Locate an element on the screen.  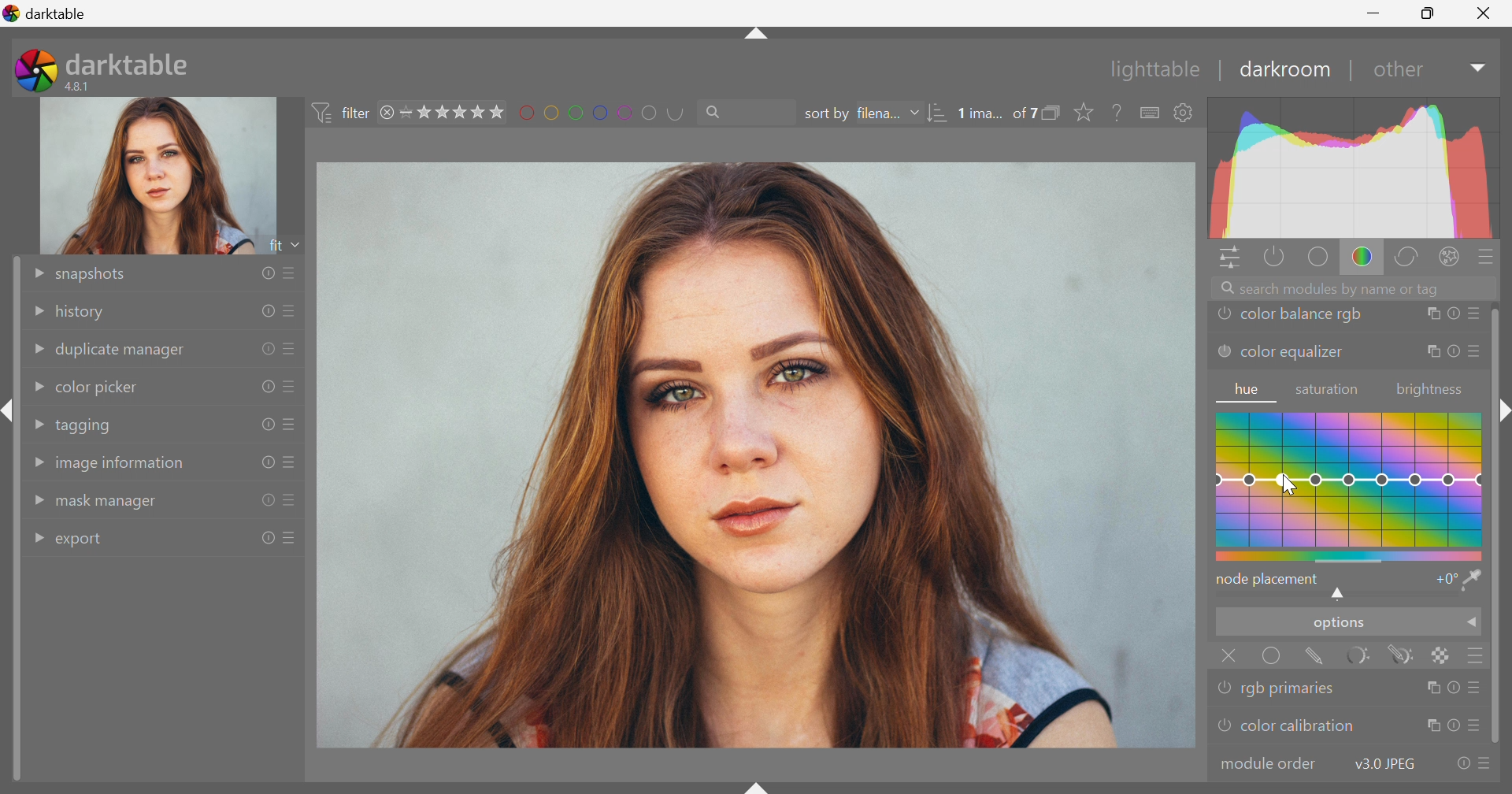
reset is located at coordinates (1453, 315).